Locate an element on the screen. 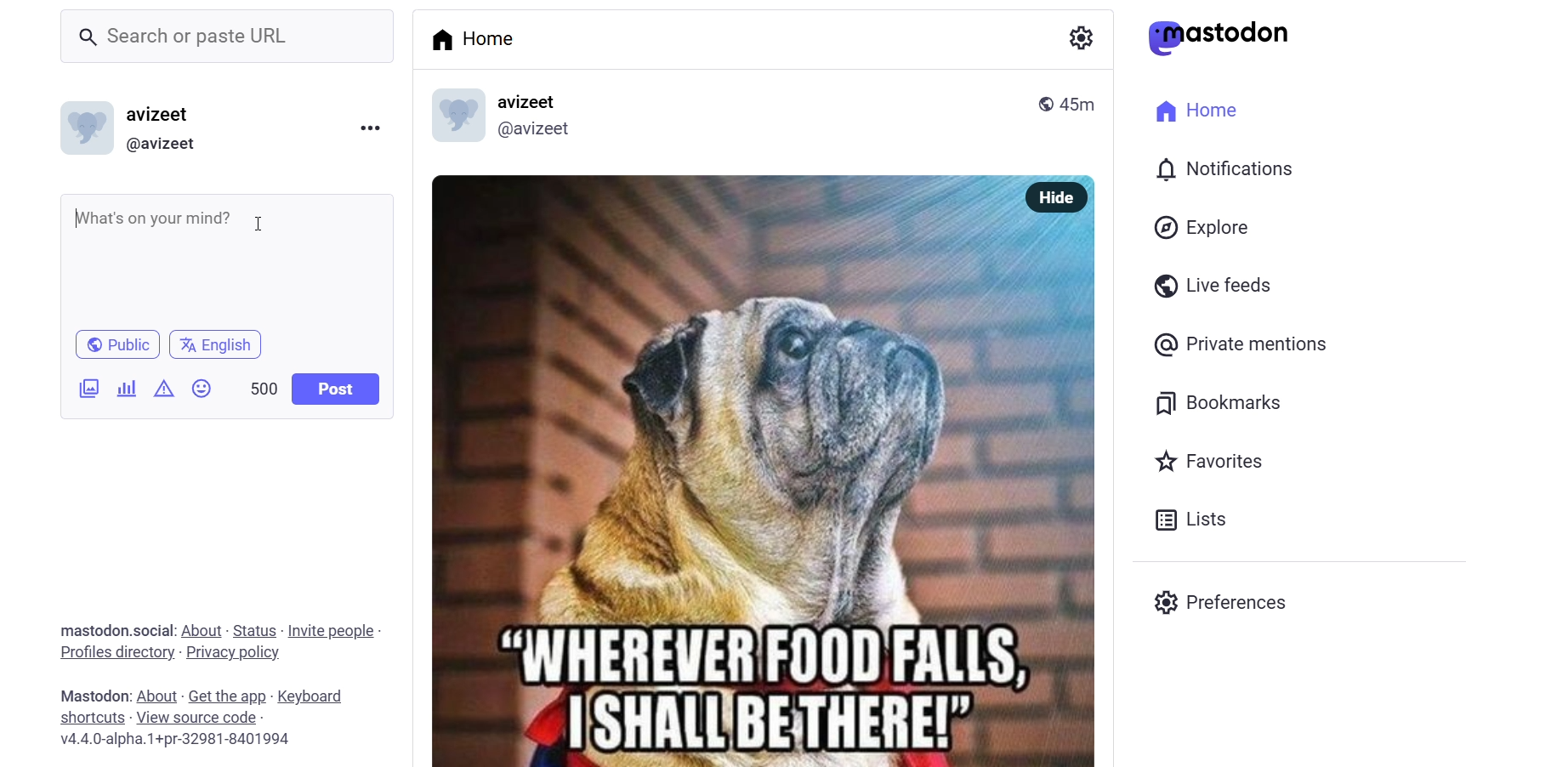 This screenshot has height=767, width=1568. (@avizeet is located at coordinates (178, 143).